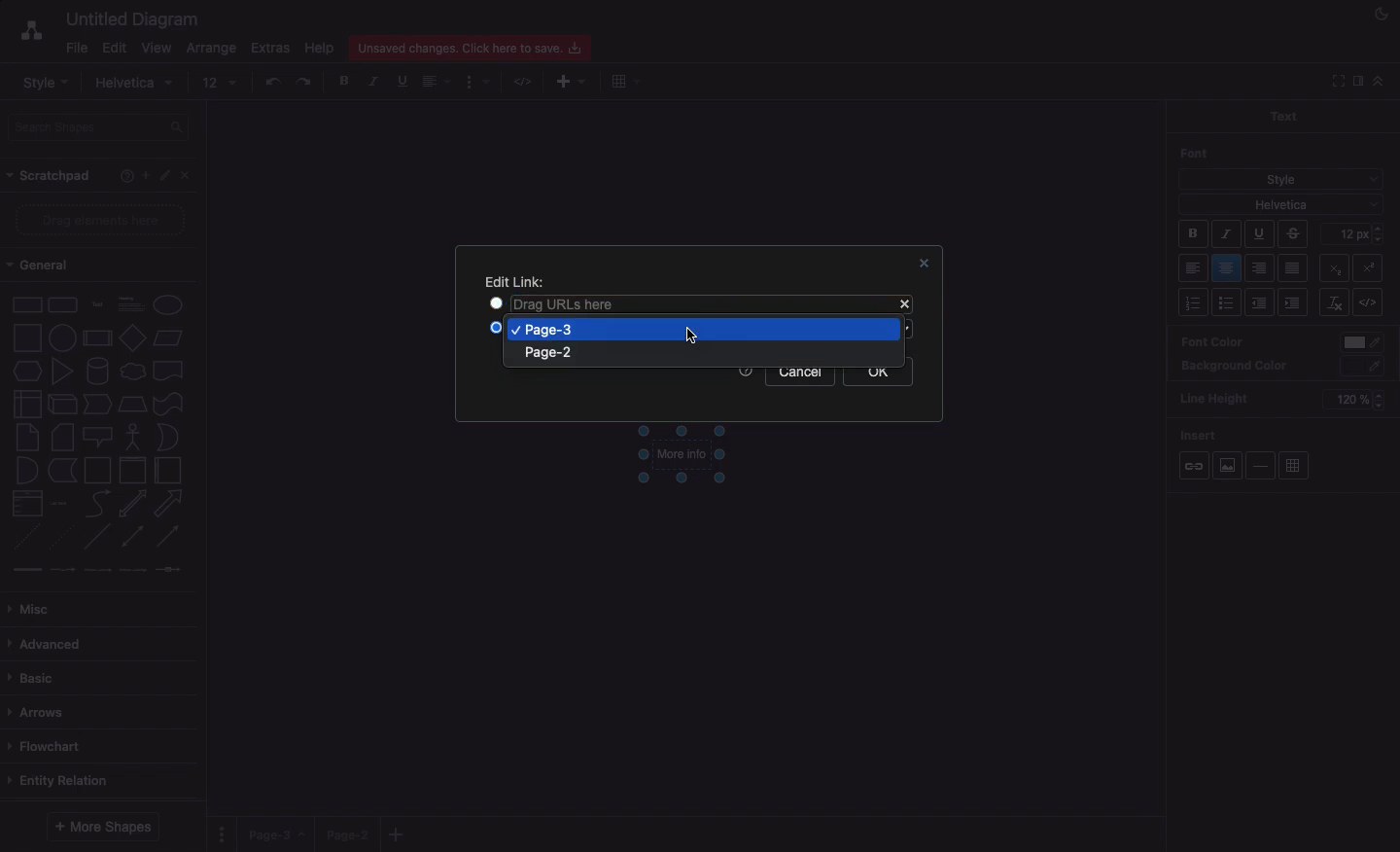  What do you see at coordinates (879, 371) in the screenshot?
I see `Ok` at bounding box center [879, 371].